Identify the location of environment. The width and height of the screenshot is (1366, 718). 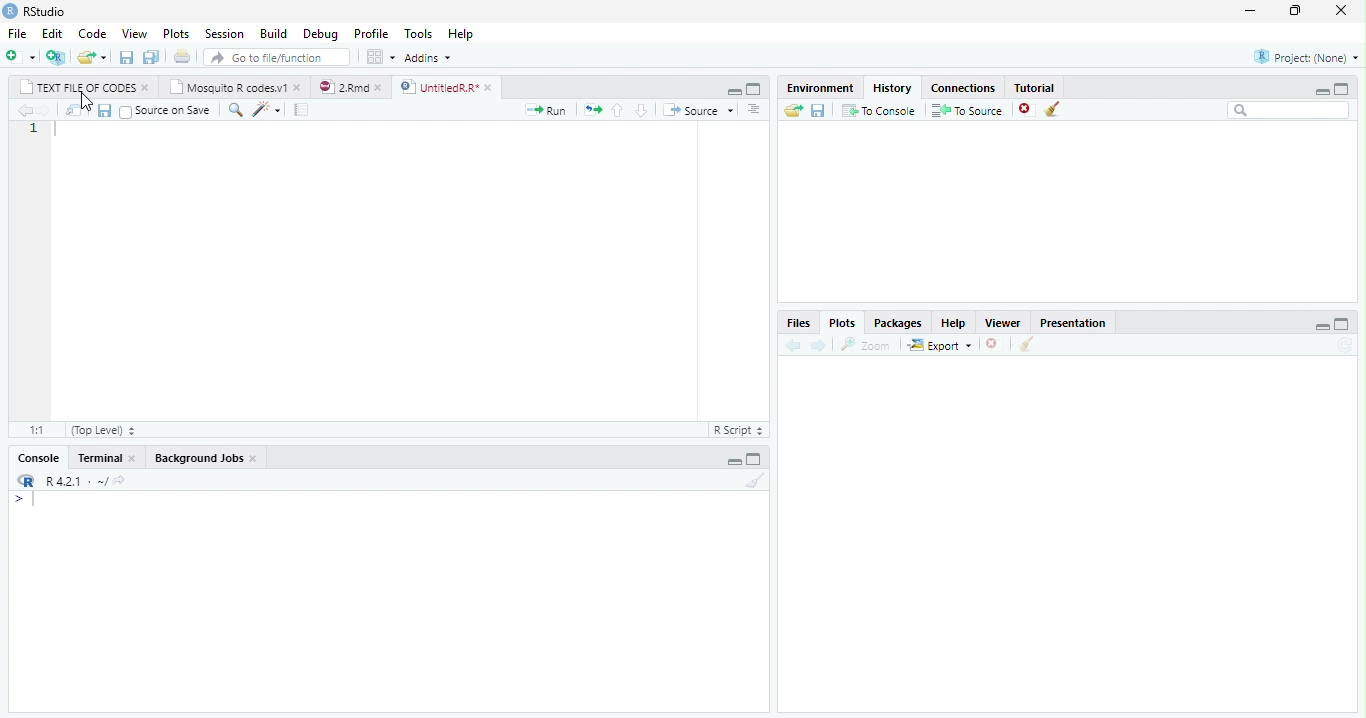
(822, 88).